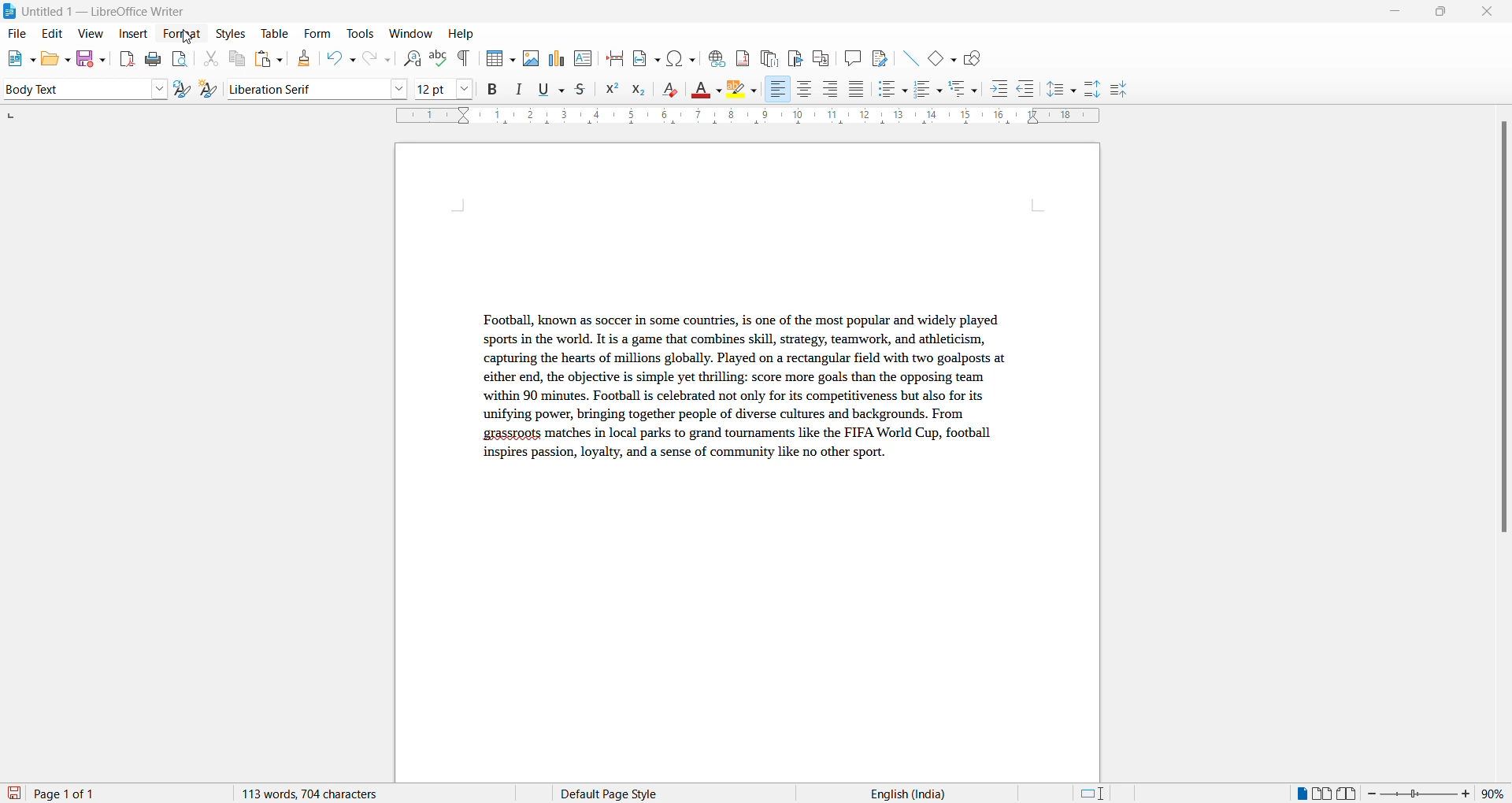 Image resolution: width=1512 pixels, height=803 pixels. I want to click on help, so click(461, 34).